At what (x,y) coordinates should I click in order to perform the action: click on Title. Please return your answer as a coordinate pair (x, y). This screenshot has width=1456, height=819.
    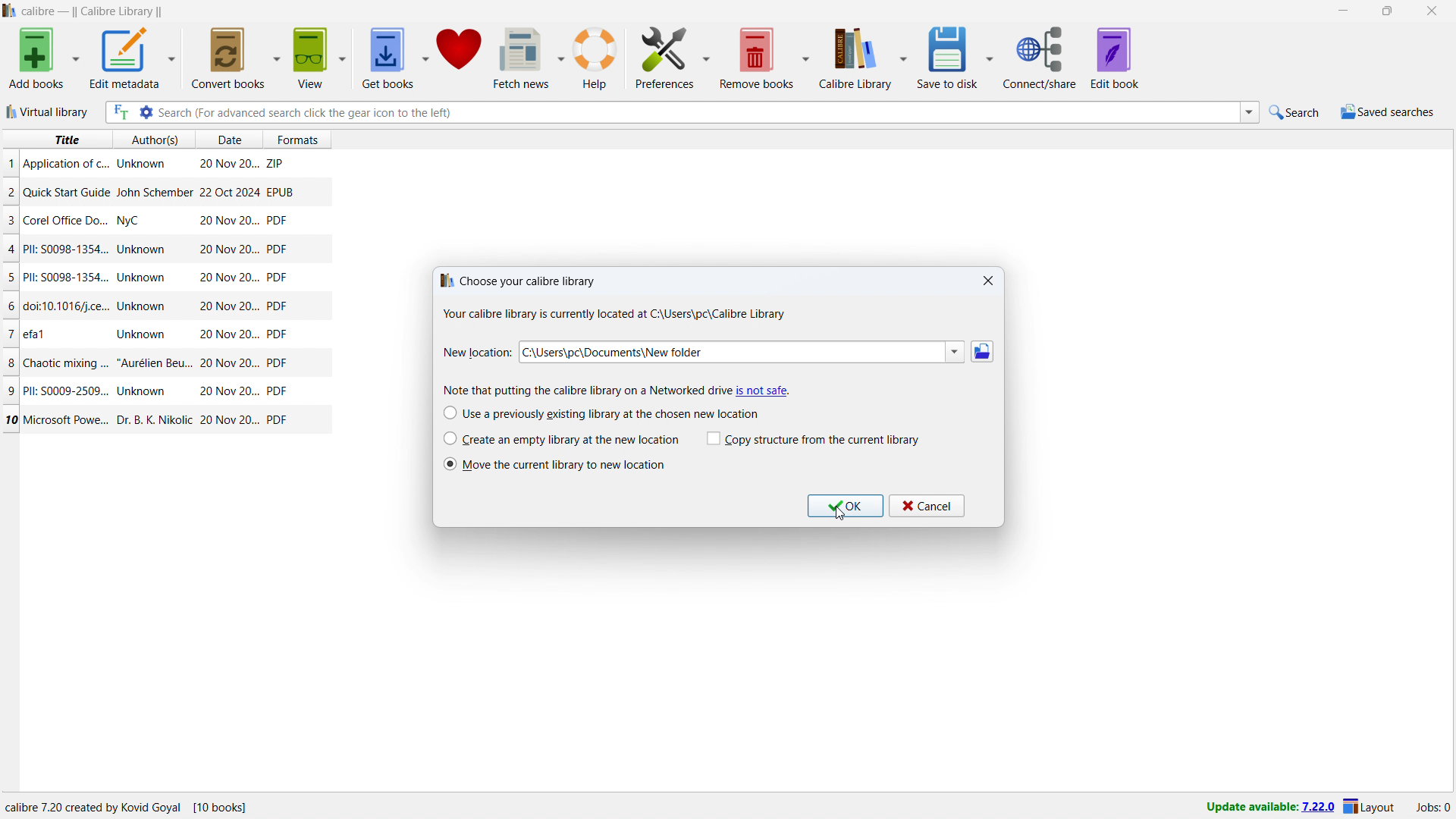
    Looking at the image, I should click on (64, 390).